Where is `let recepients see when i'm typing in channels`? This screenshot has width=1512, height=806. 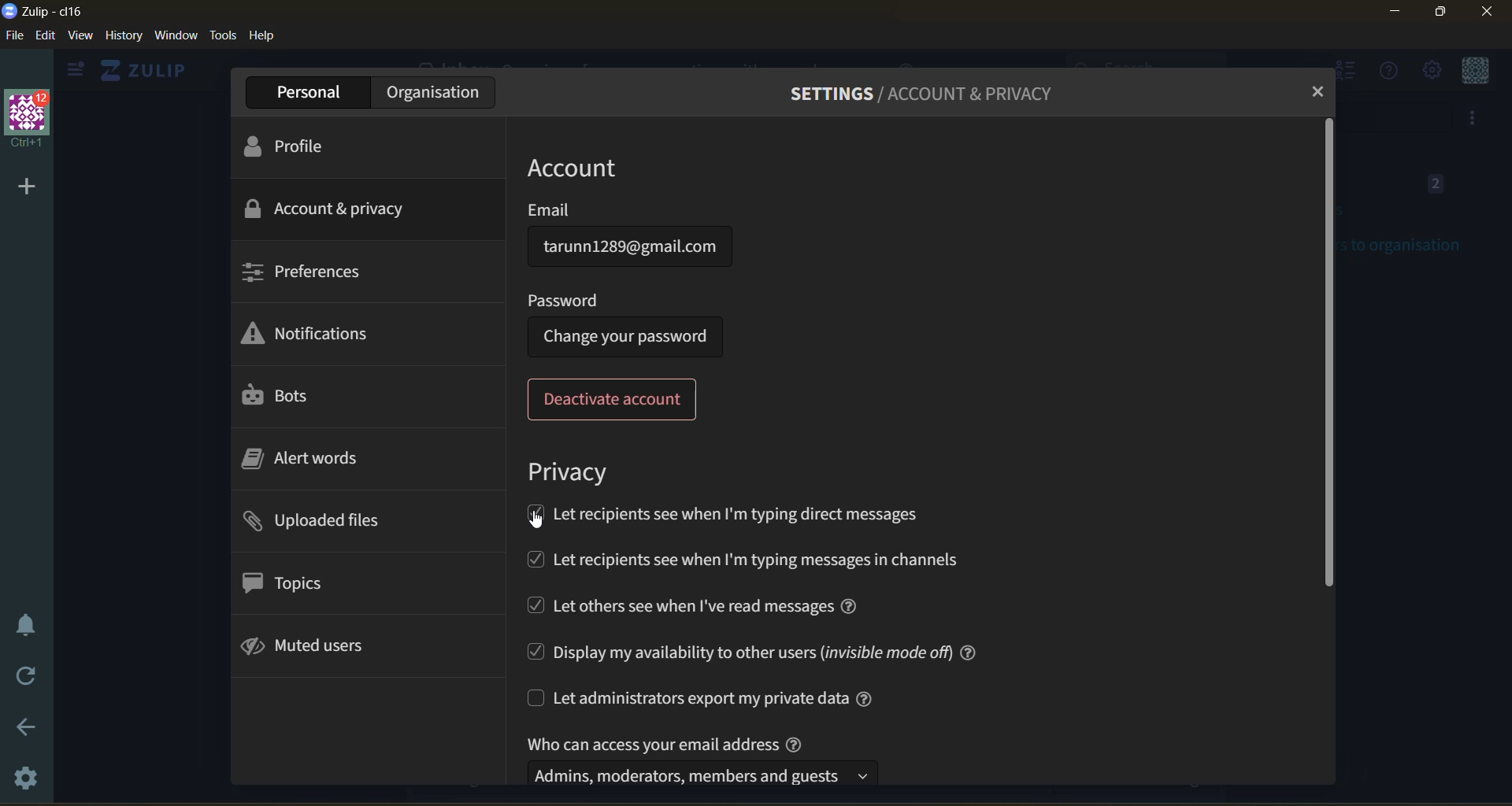 let recepients see when i'm typing in channels is located at coordinates (750, 562).